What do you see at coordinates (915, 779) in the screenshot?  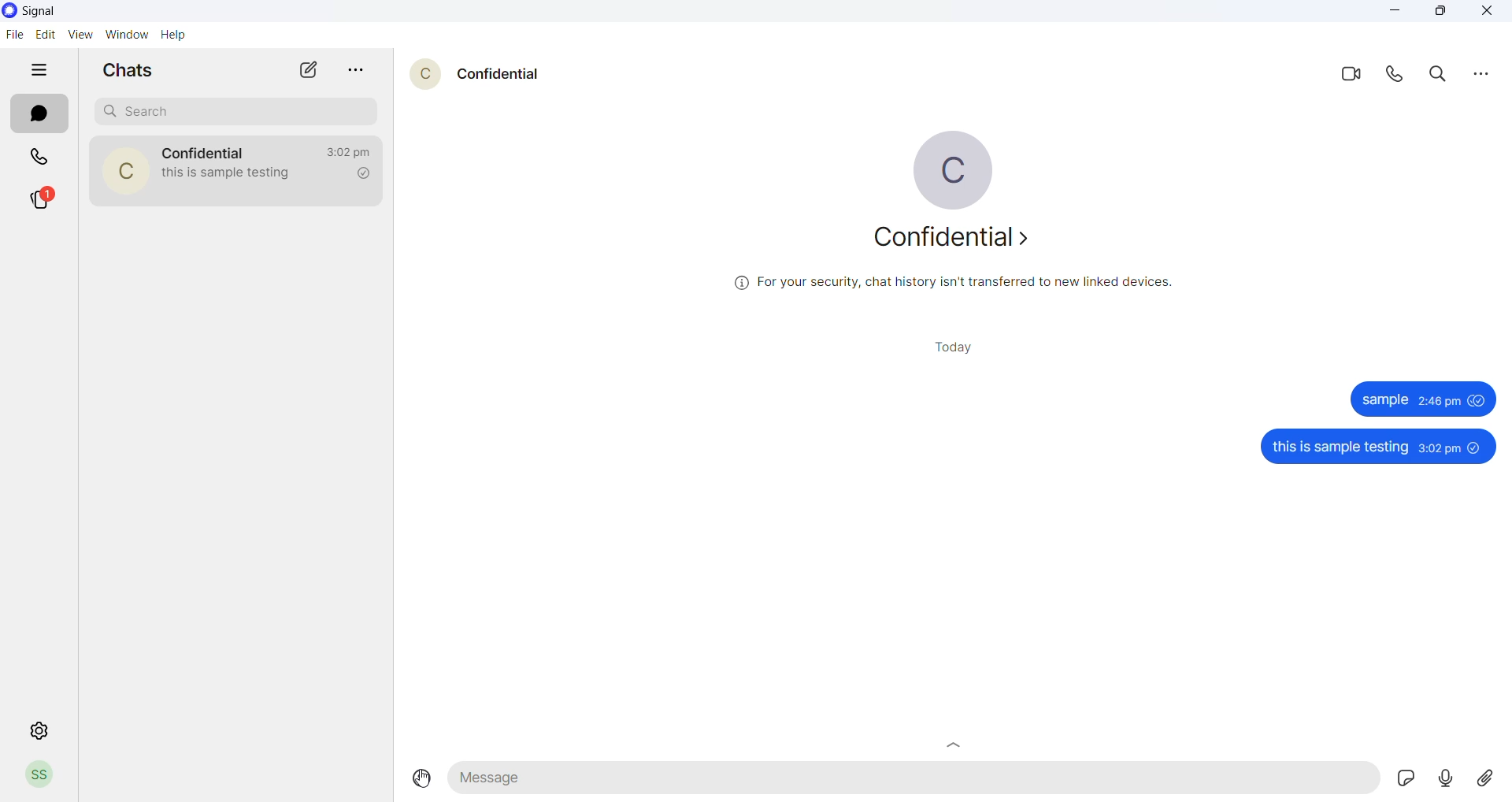 I see `message text area` at bounding box center [915, 779].